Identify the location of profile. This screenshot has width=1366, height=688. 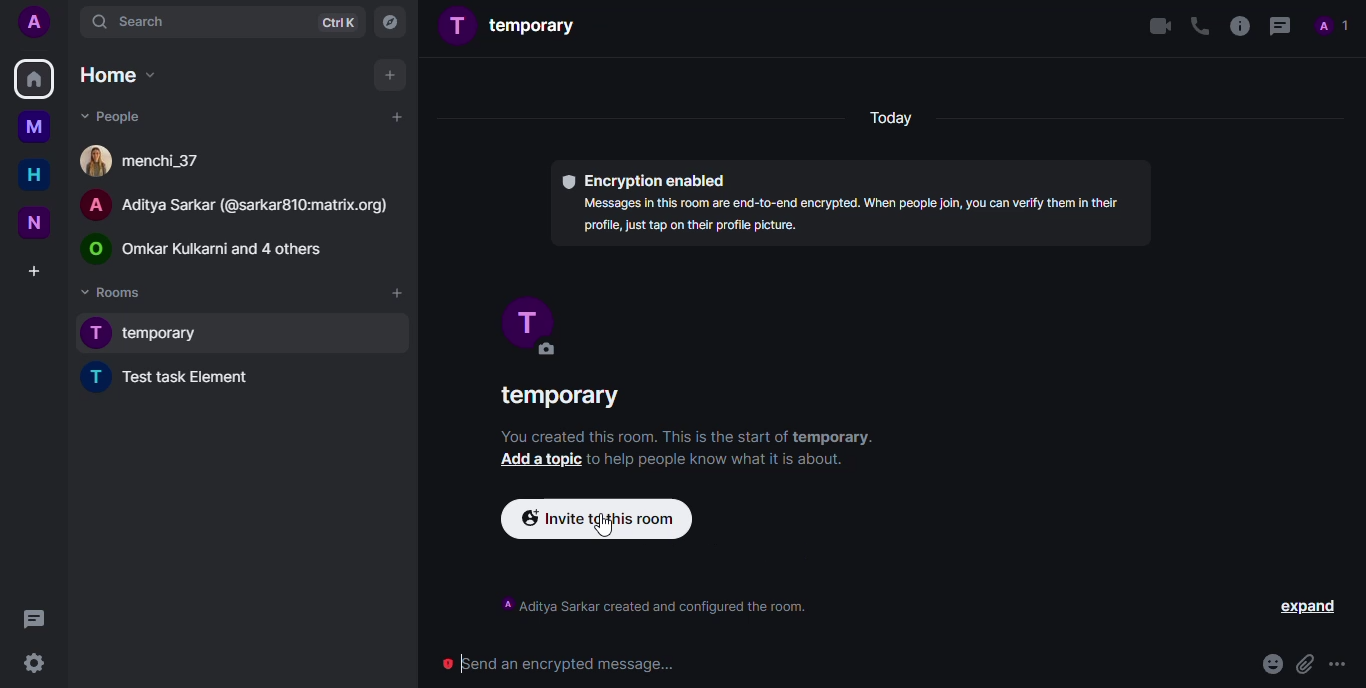
(33, 21).